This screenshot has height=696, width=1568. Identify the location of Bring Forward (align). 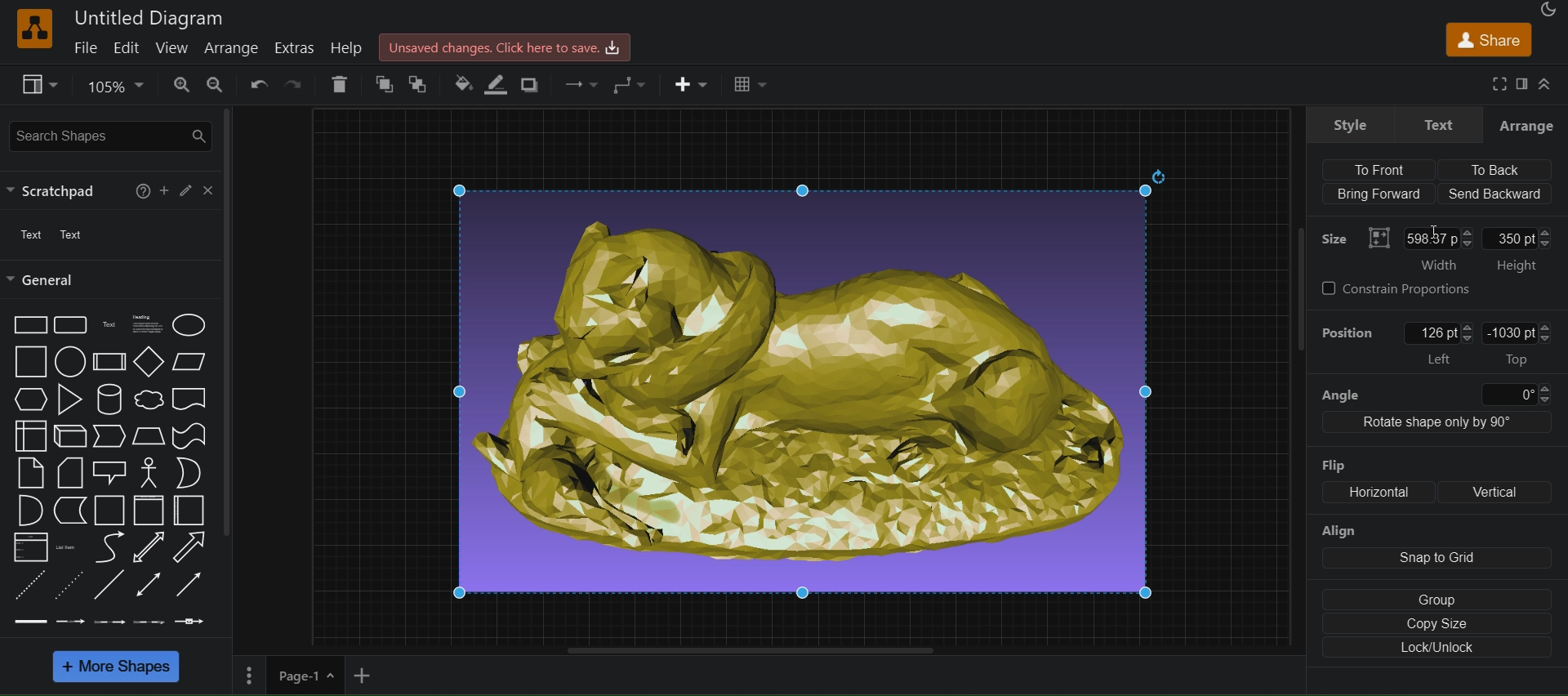
(1379, 194).